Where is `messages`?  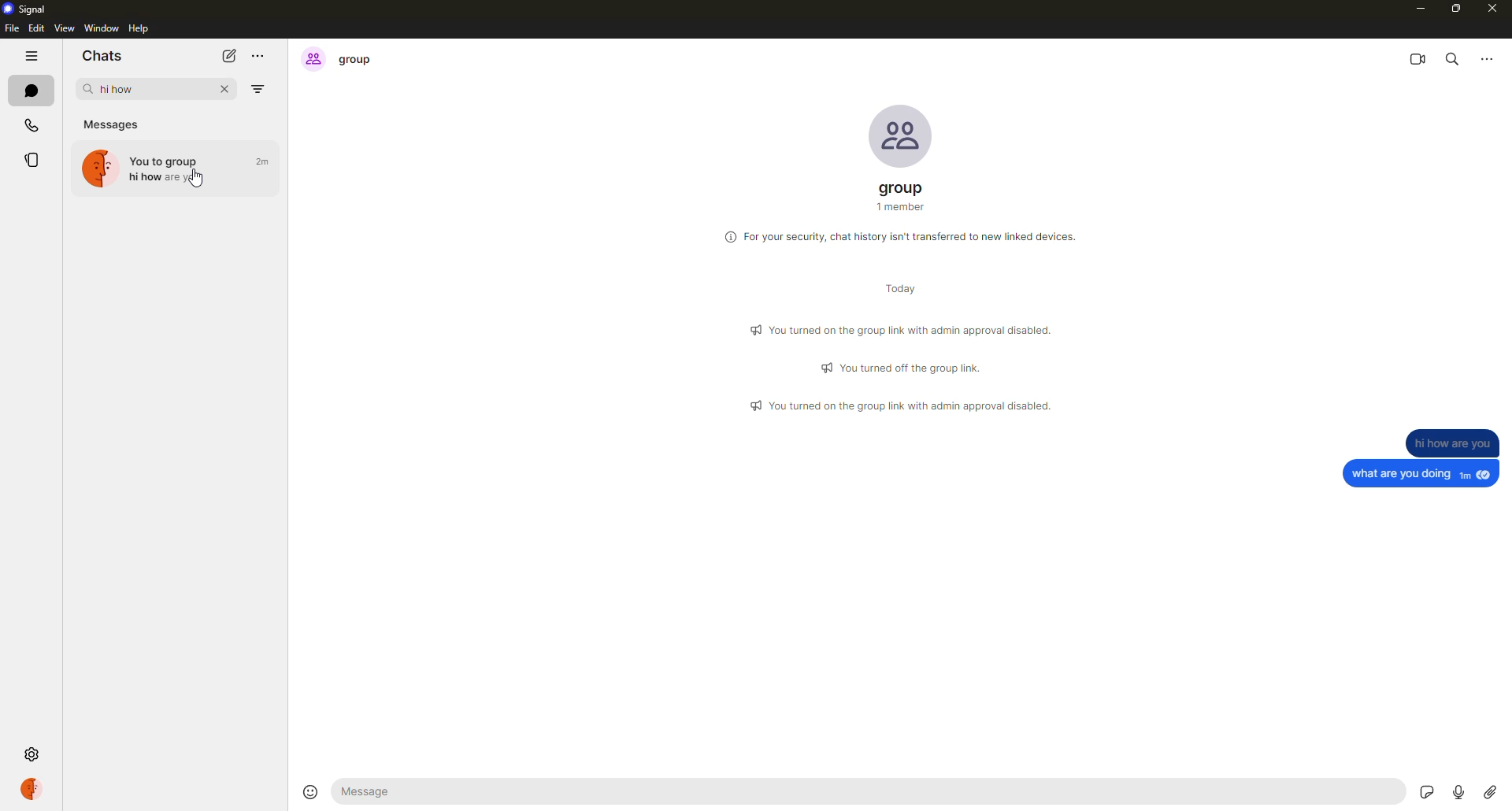
messages is located at coordinates (114, 121).